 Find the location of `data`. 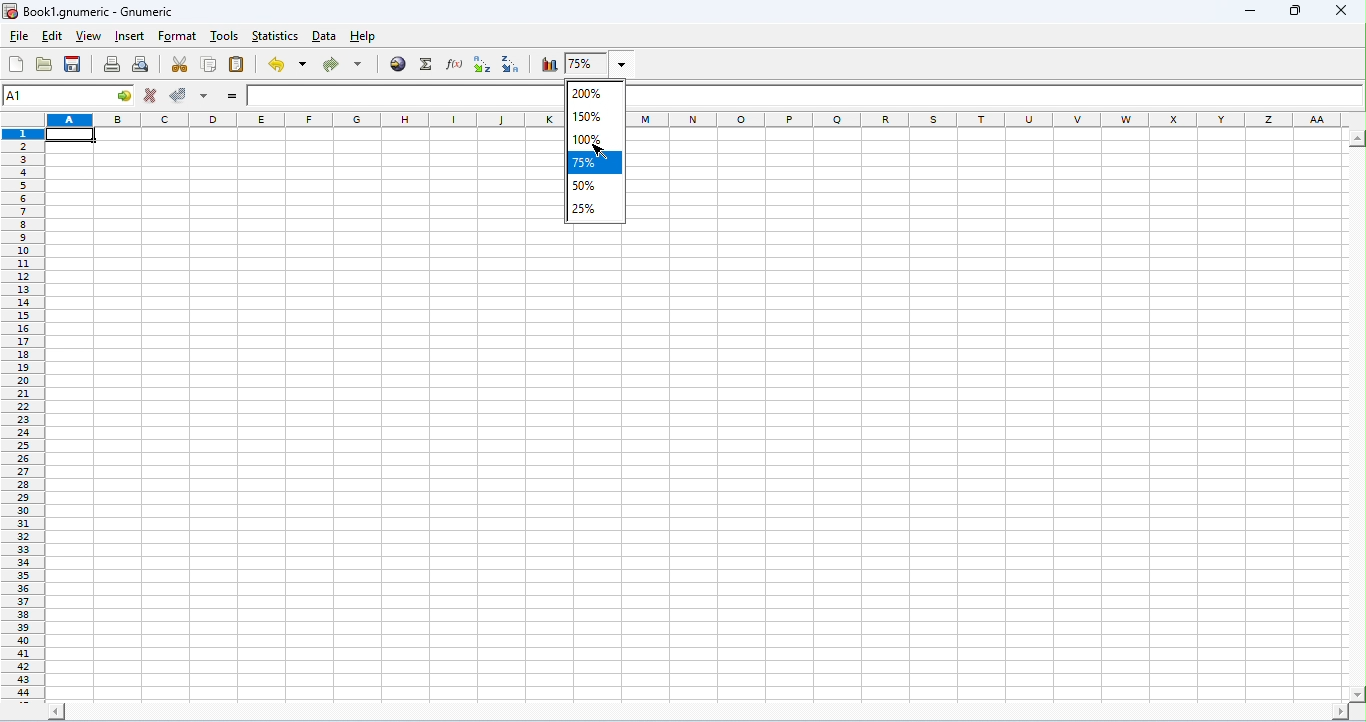

data is located at coordinates (326, 36).